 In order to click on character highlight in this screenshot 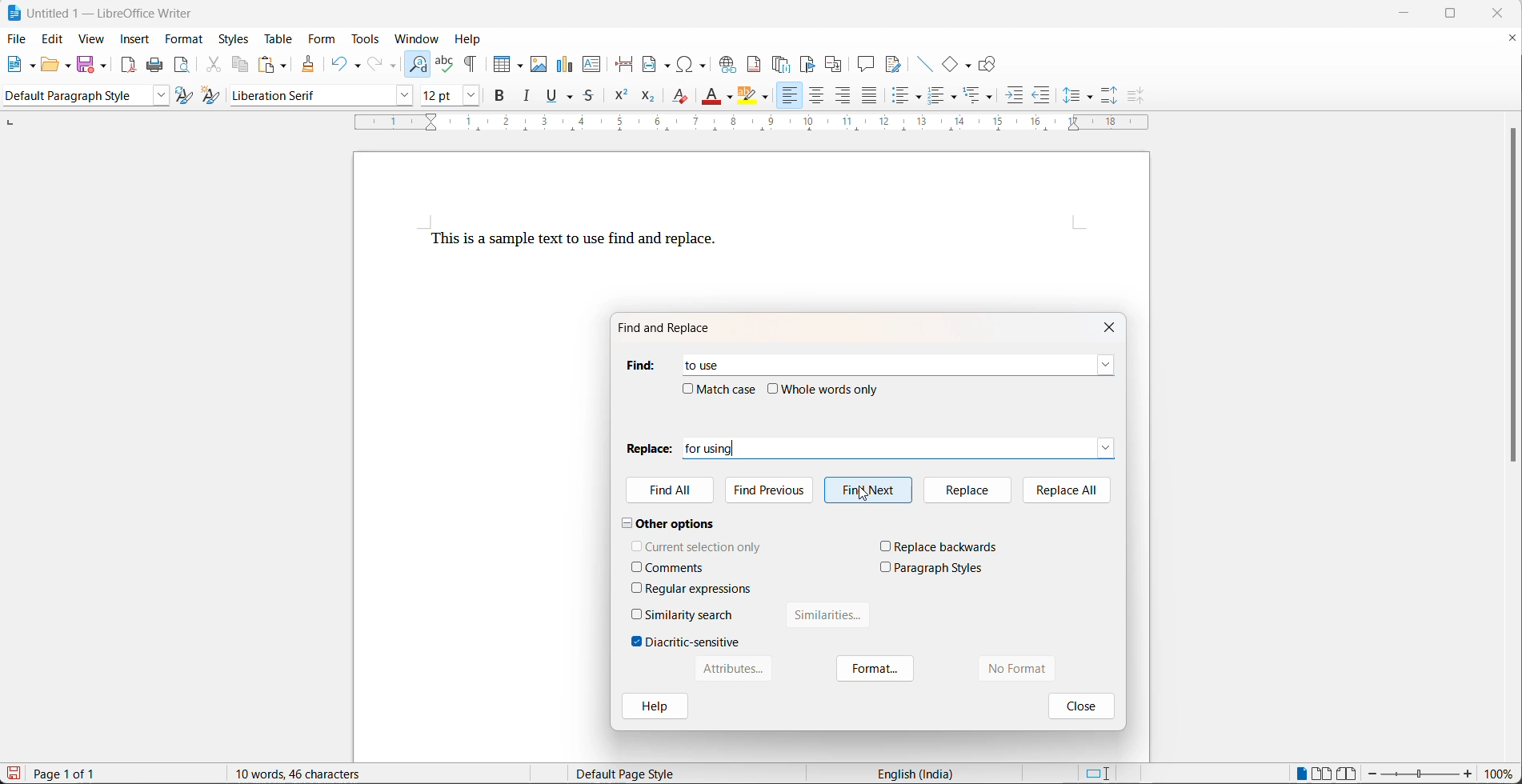, I will do `click(747, 96)`.